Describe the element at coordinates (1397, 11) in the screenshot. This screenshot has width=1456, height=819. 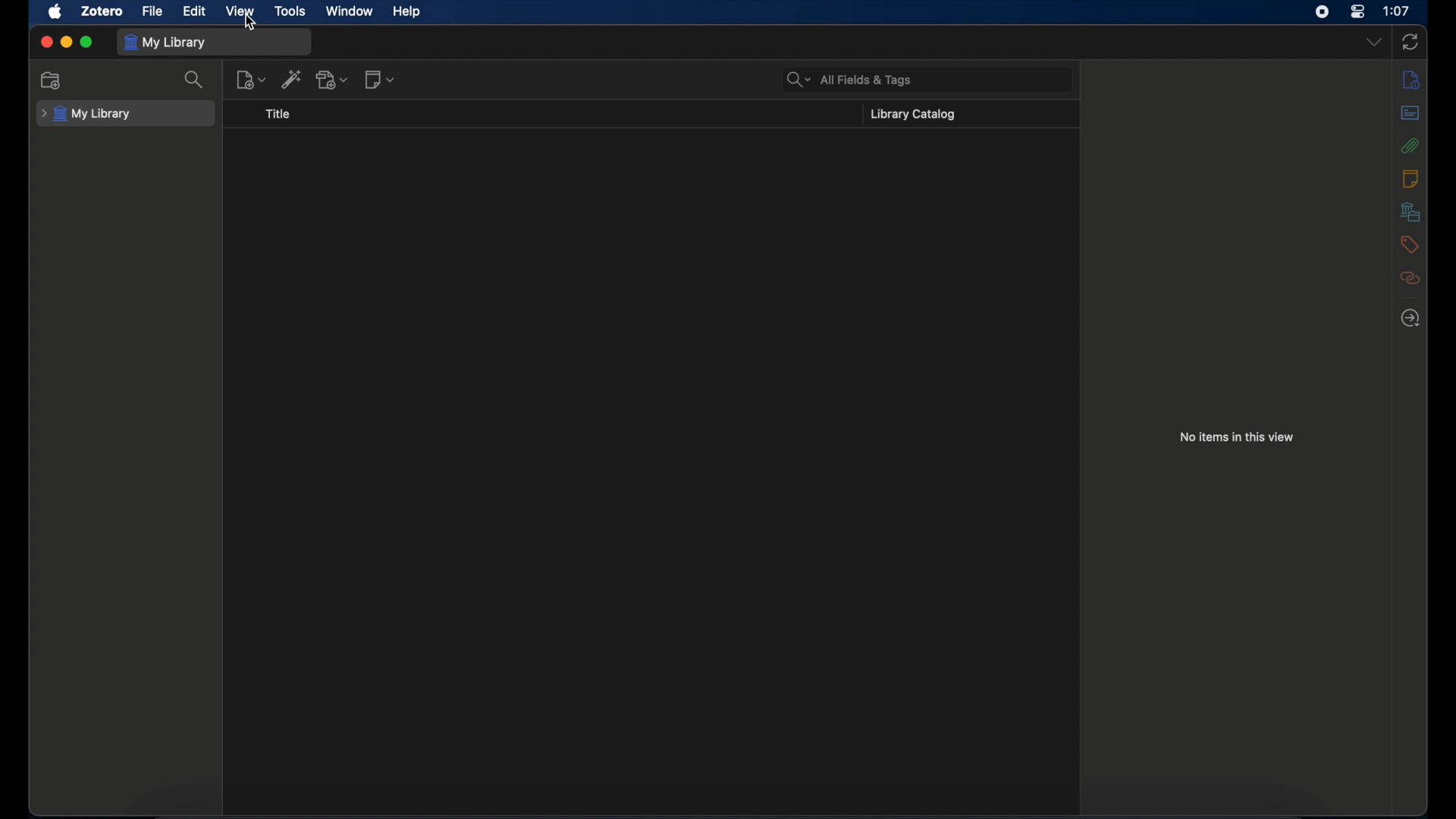
I see `time` at that location.